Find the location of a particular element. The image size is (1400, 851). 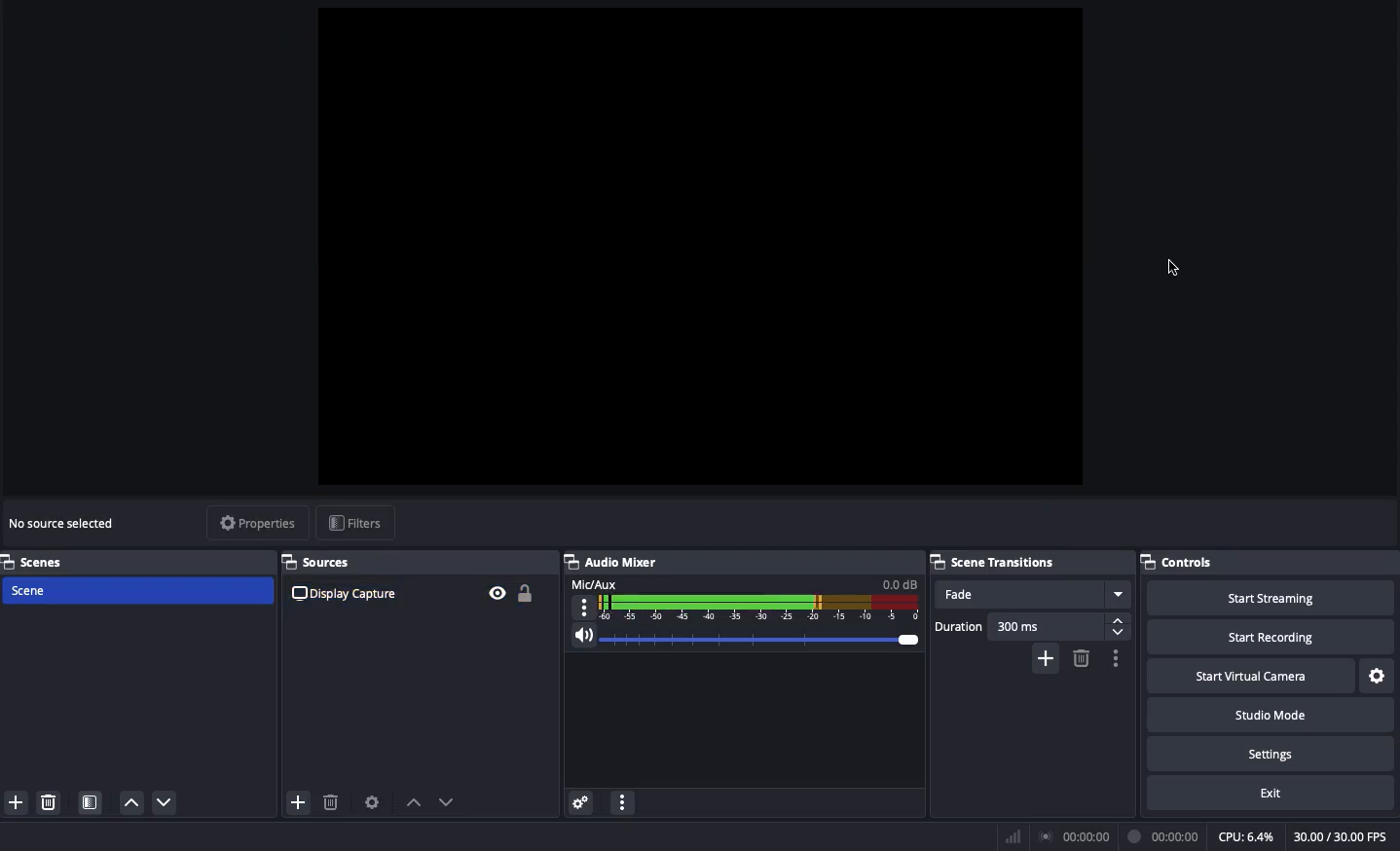

Audio/mixer is located at coordinates (736, 559).